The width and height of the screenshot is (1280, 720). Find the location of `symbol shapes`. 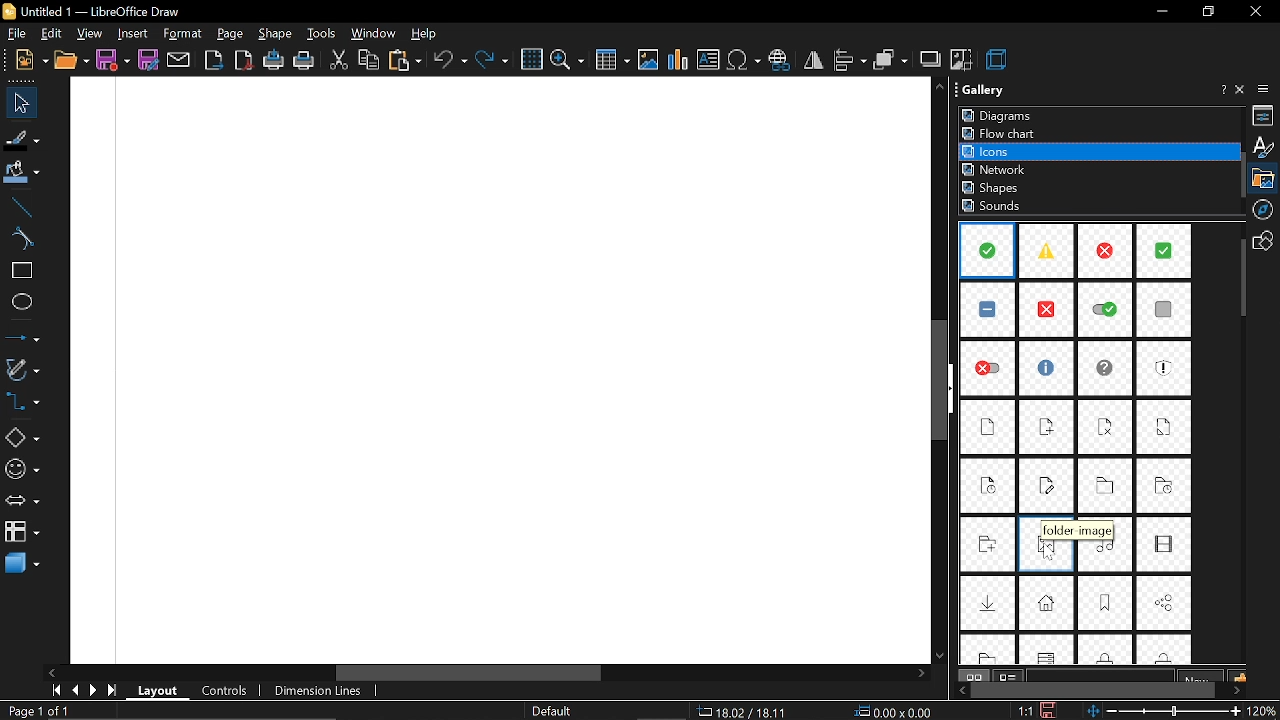

symbol shapes is located at coordinates (22, 471).